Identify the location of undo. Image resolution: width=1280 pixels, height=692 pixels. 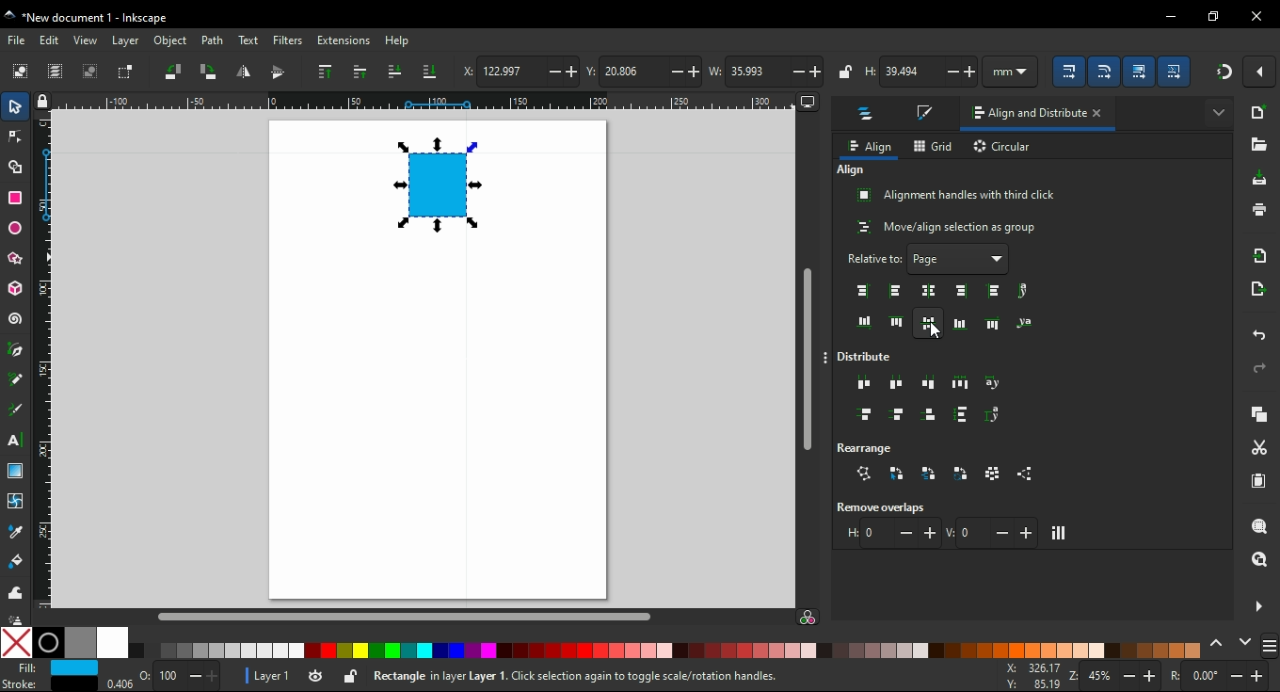
(1261, 337).